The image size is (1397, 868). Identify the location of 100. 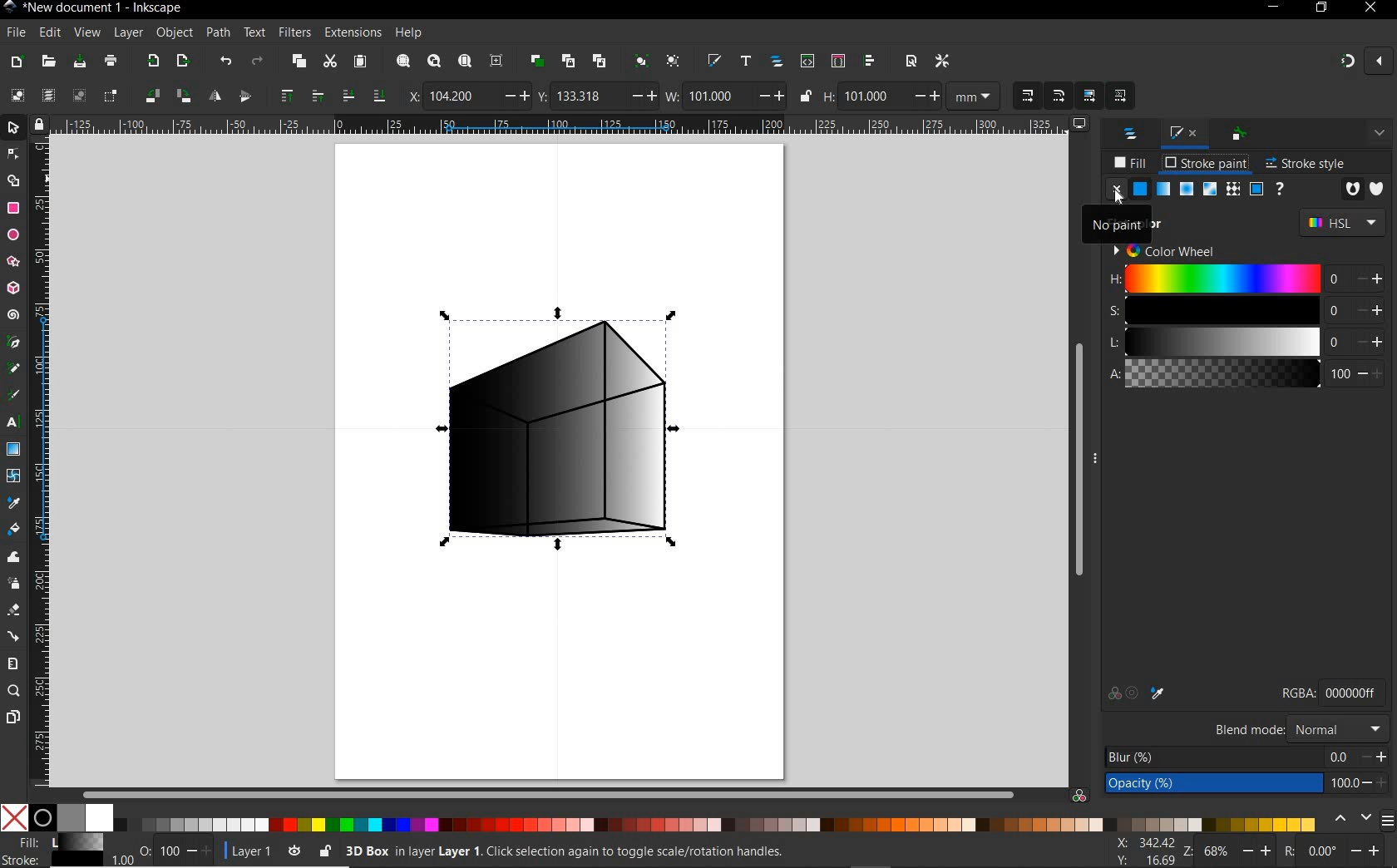
(1340, 372).